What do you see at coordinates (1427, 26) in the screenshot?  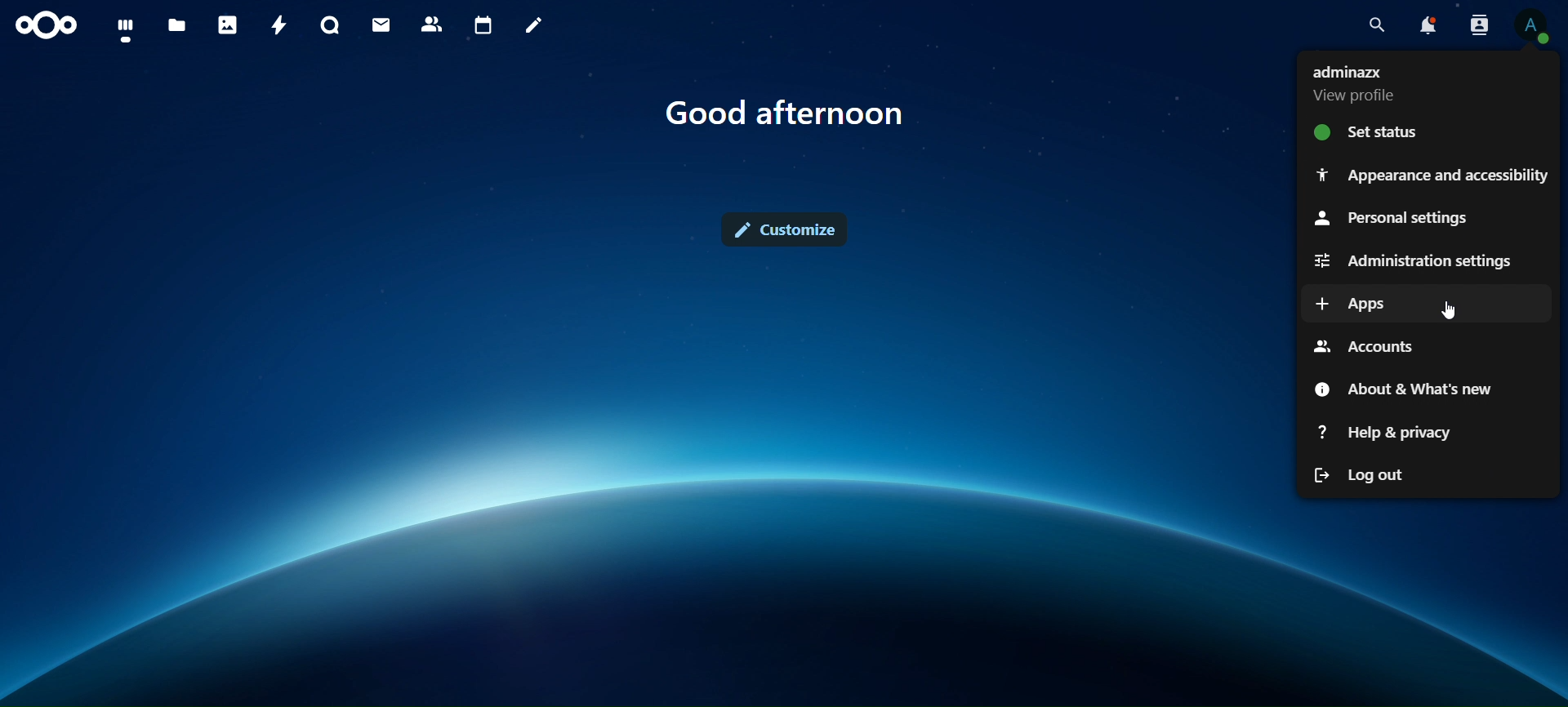 I see `notification` at bounding box center [1427, 26].